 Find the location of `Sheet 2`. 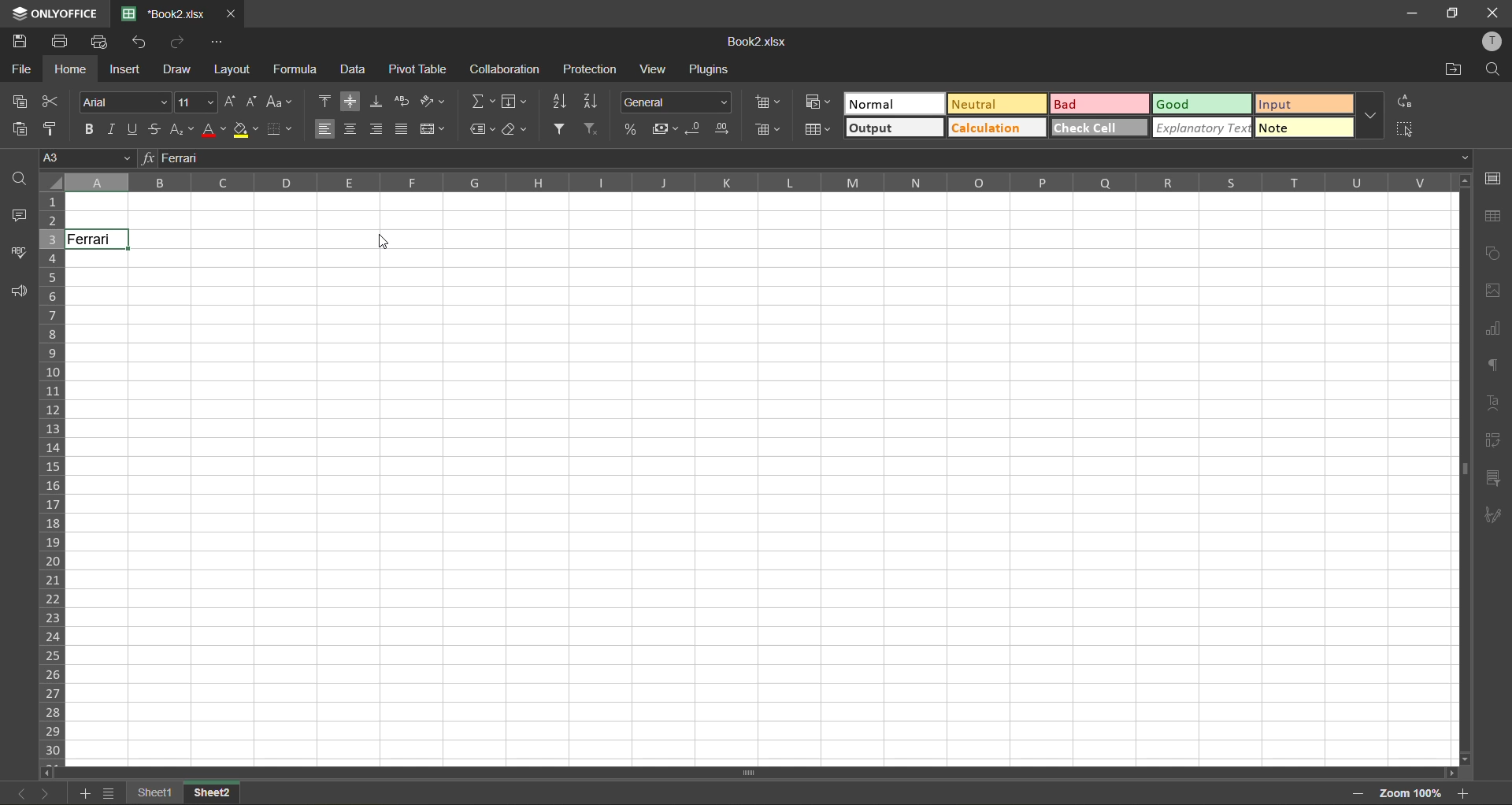

Sheet 2 is located at coordinates (225, 794).